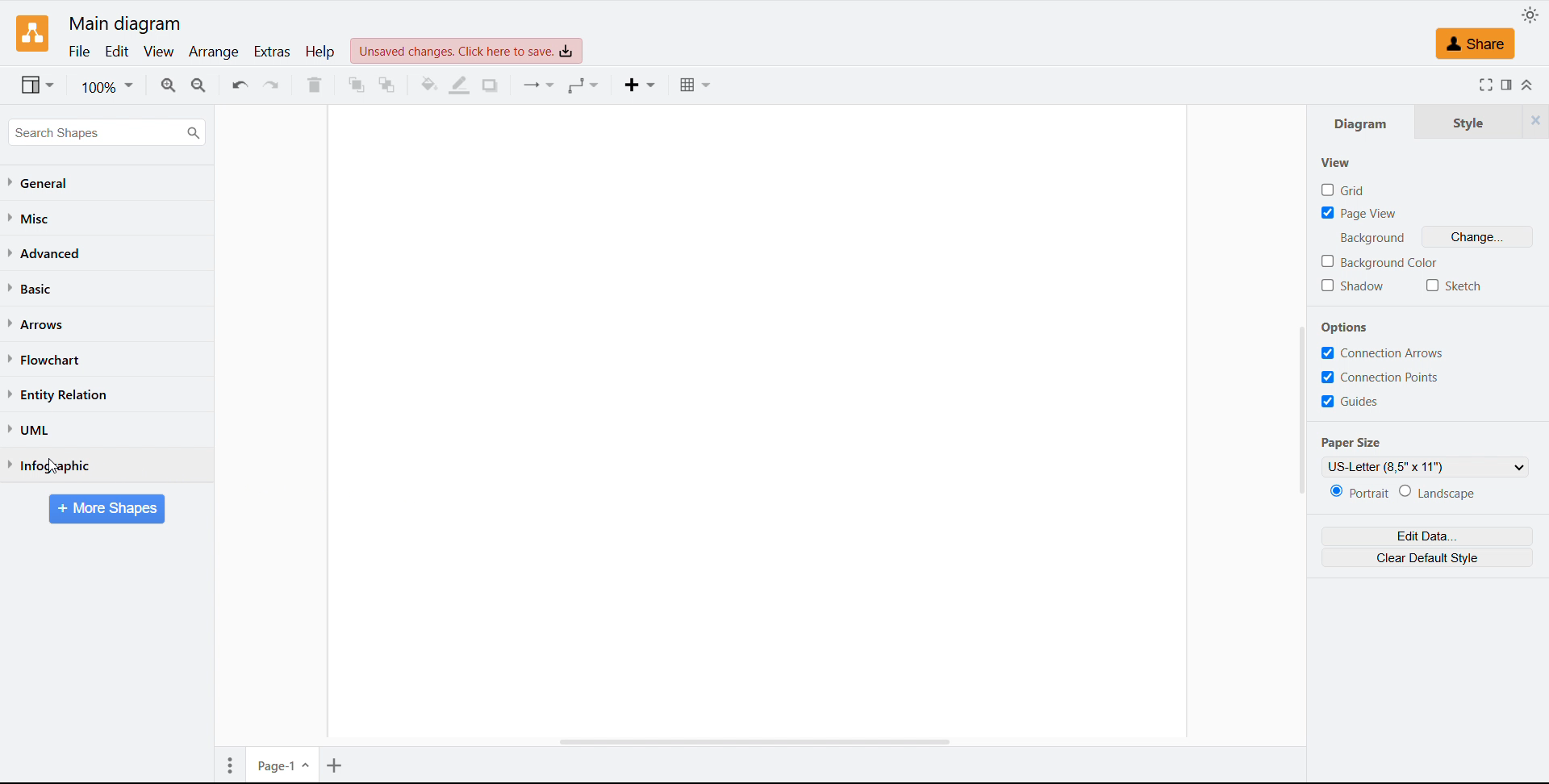  I want to click on Advanced , so click(45, 253).